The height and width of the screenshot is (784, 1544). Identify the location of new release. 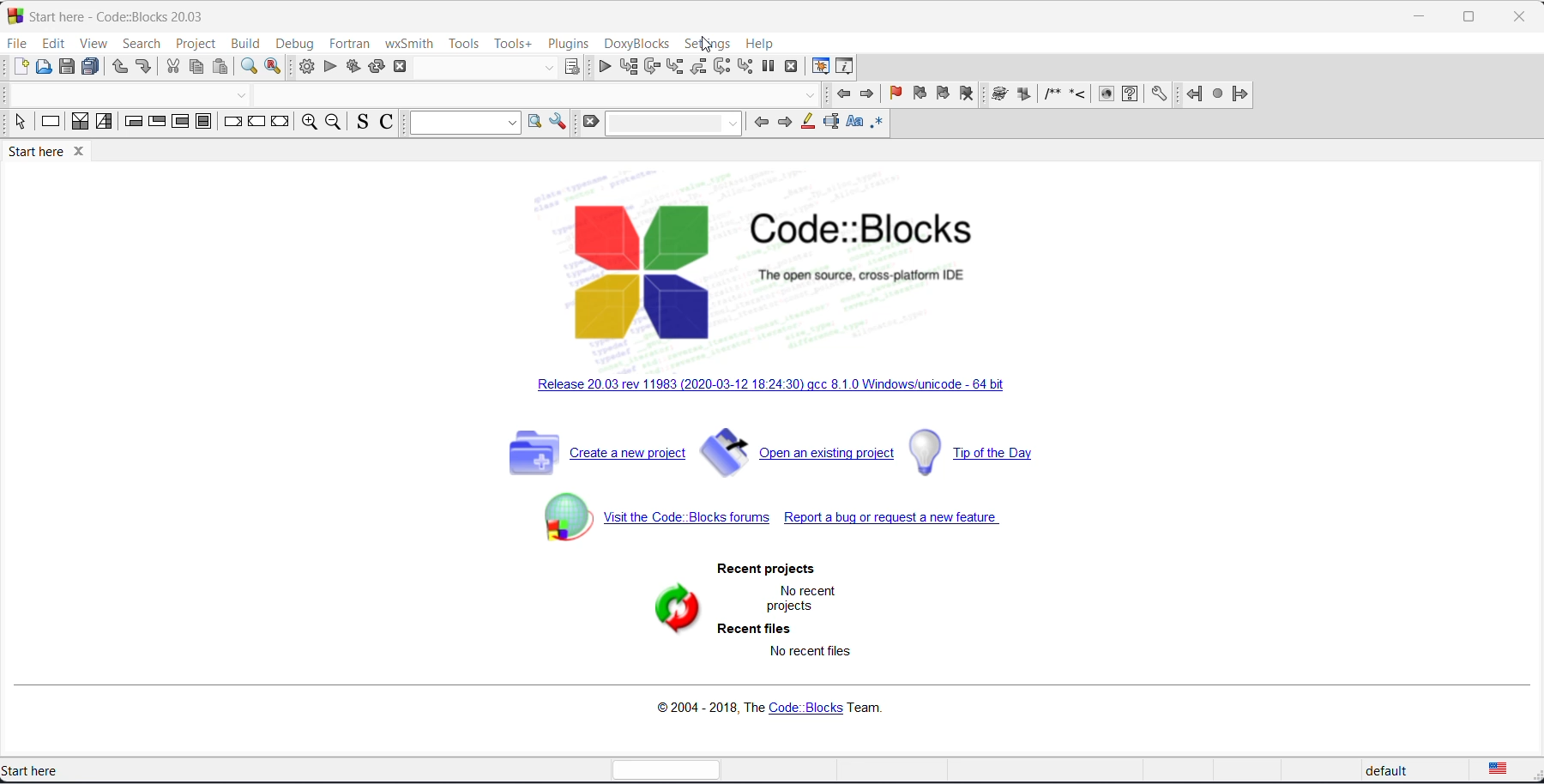
(763, 386).